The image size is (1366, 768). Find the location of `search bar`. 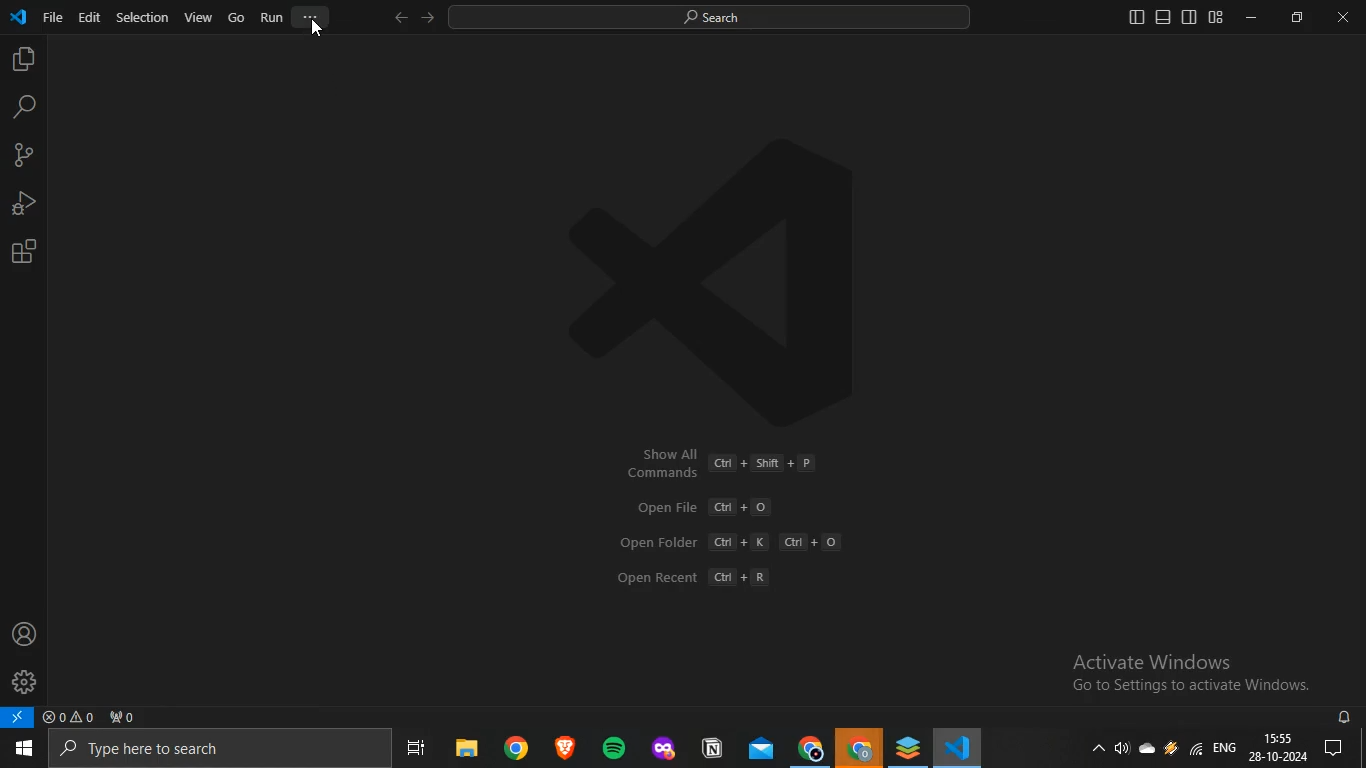

search bar is located at coordinates (213, 749).